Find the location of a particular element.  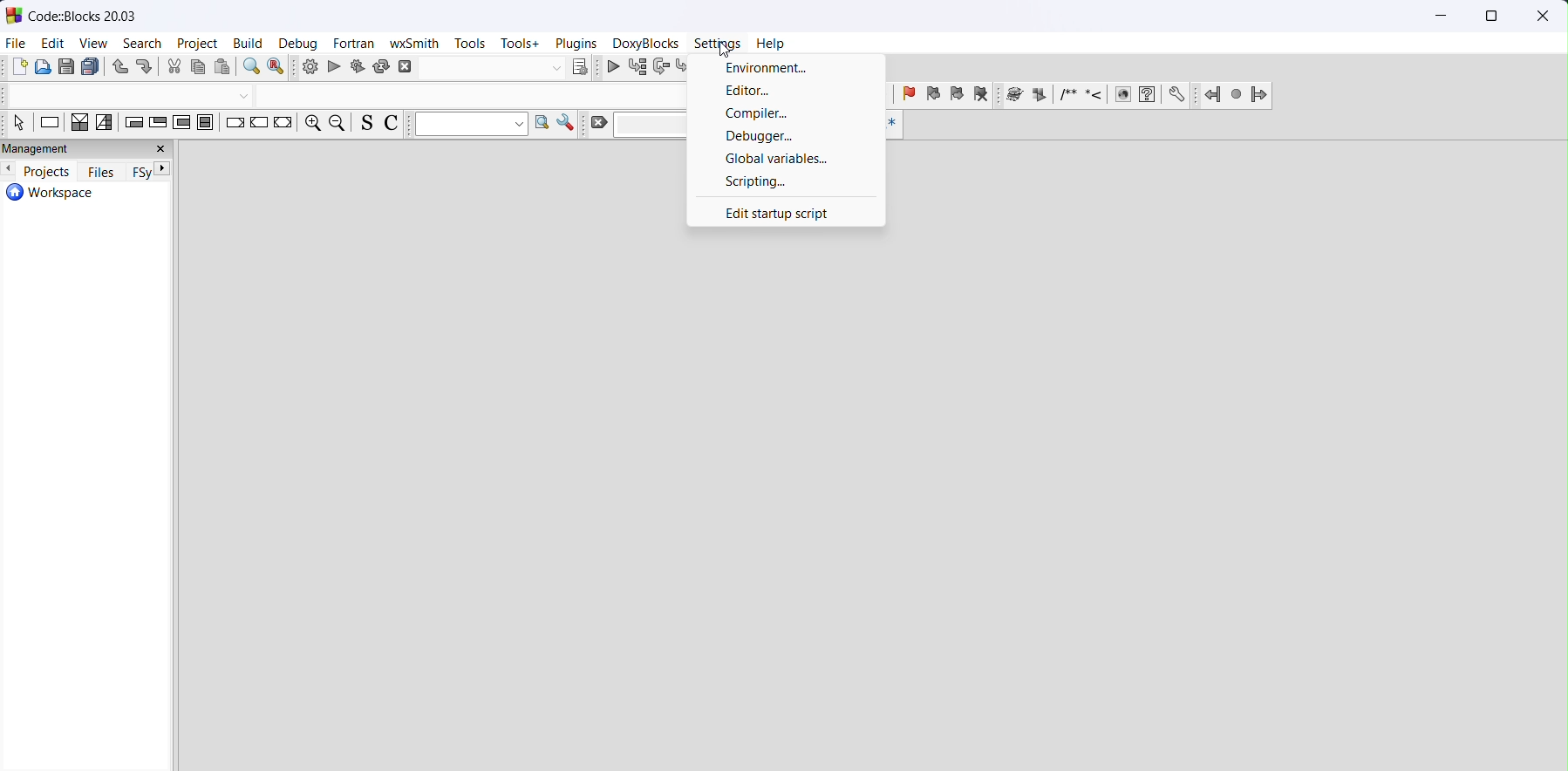

text to search is located at coordinates (472, 125).